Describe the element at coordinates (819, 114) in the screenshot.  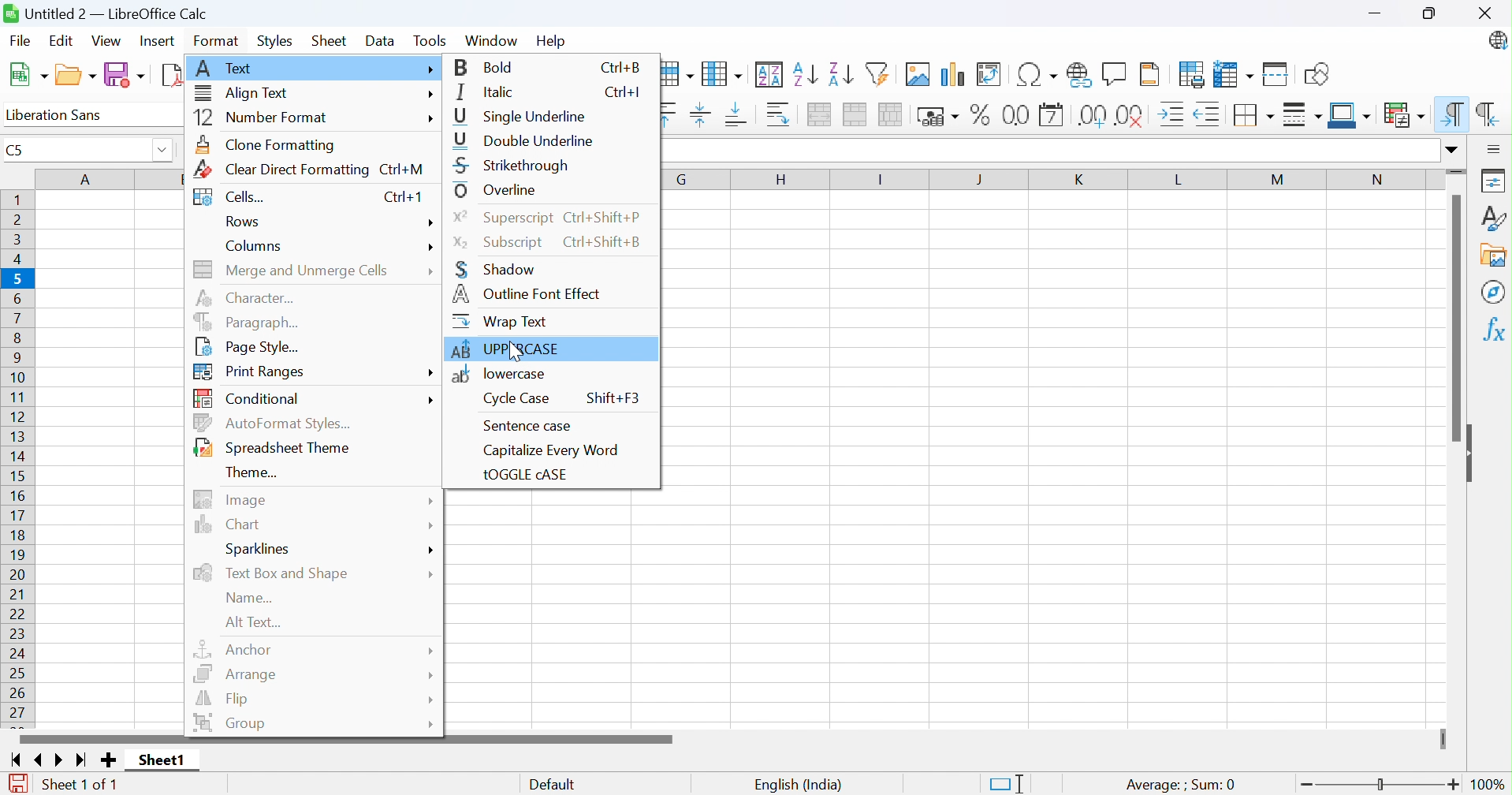
I see `Merge and center or unmerge cells depending on the current toggle state` at that location.